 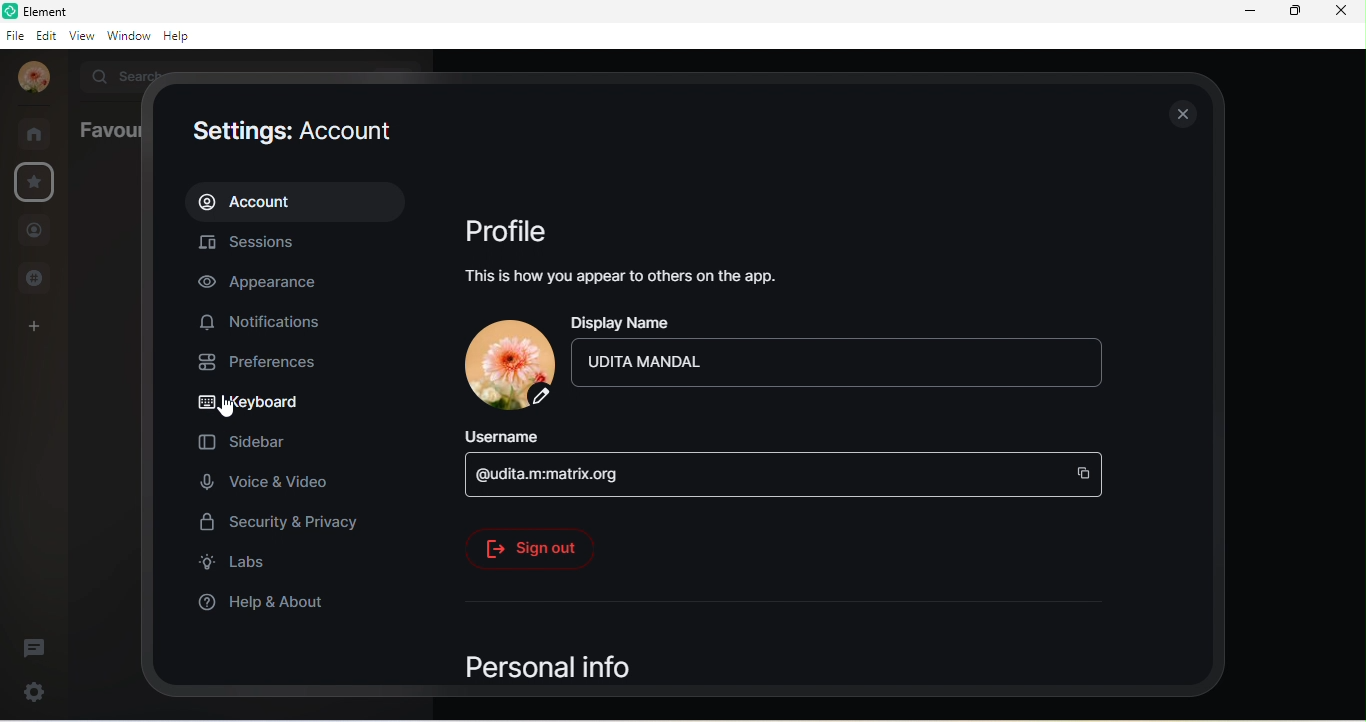 I want to click on notifications, so click(x=274, y=324).